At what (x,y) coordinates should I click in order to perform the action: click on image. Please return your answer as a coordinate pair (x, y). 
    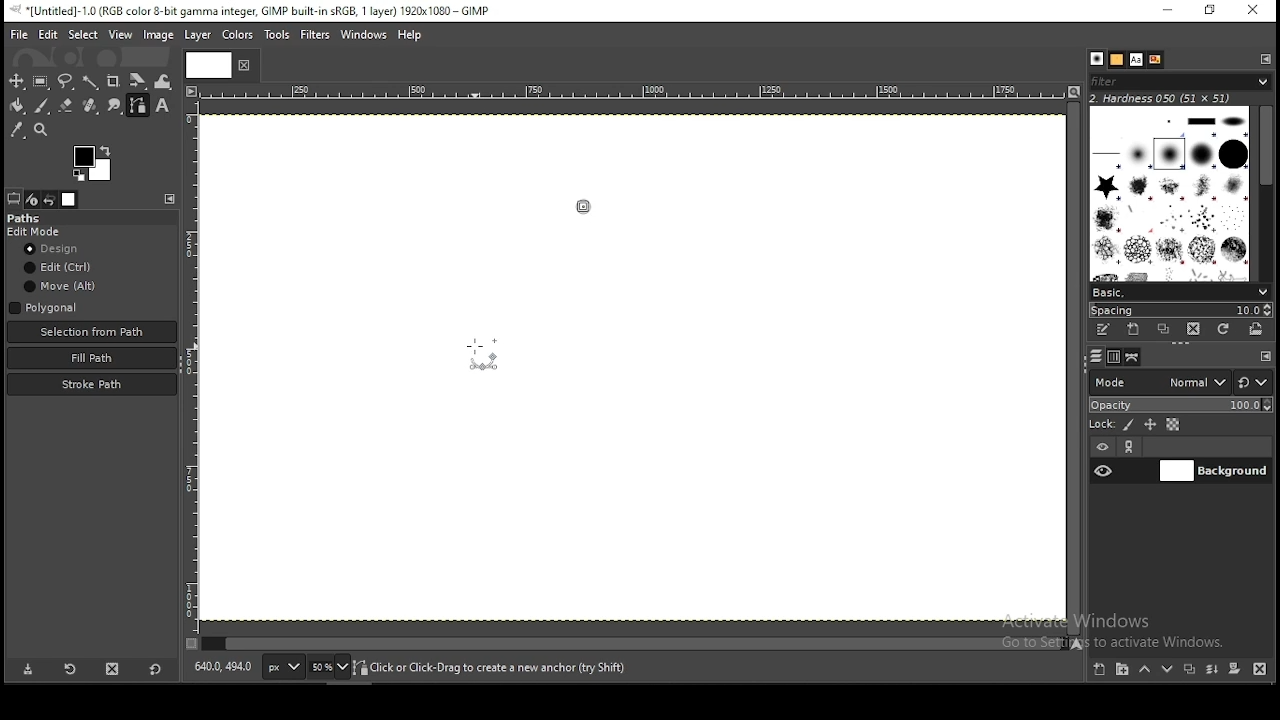
    Looking at the image, I should click on (160, 36).